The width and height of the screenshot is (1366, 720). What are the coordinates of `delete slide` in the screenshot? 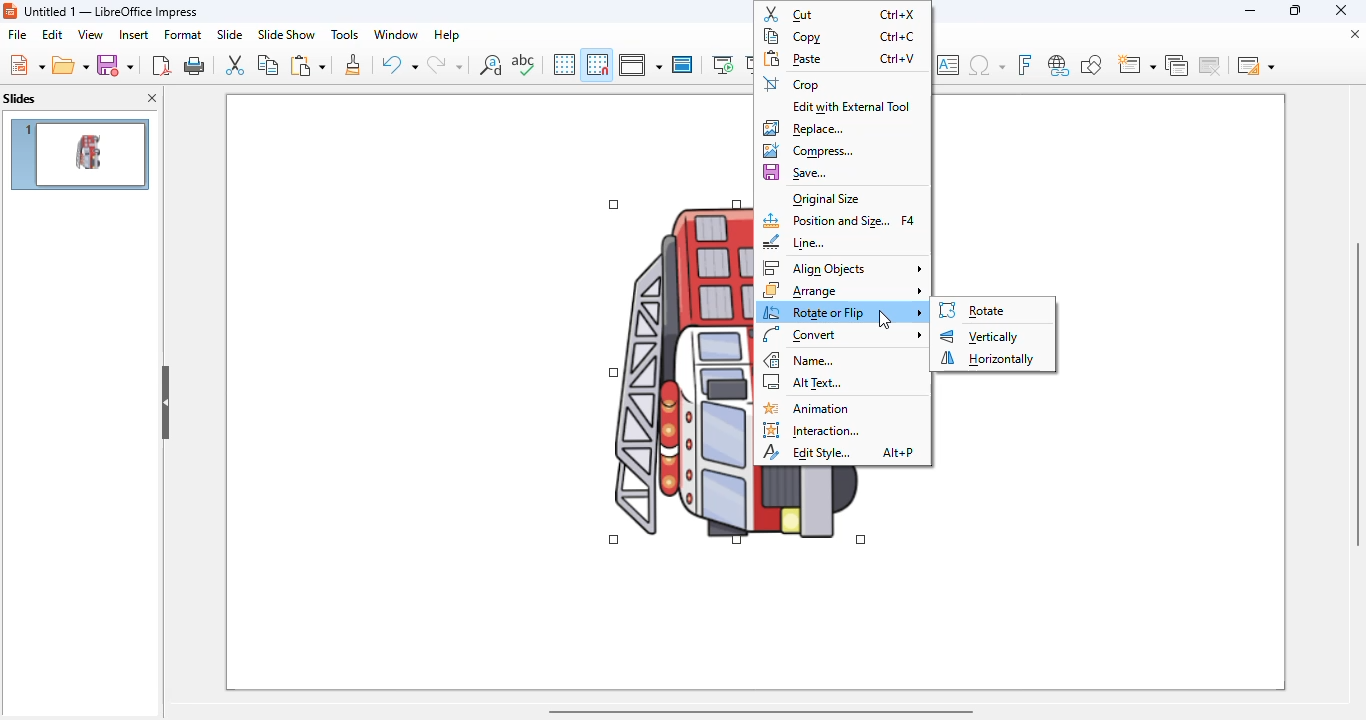 It's located at (1210, 64).